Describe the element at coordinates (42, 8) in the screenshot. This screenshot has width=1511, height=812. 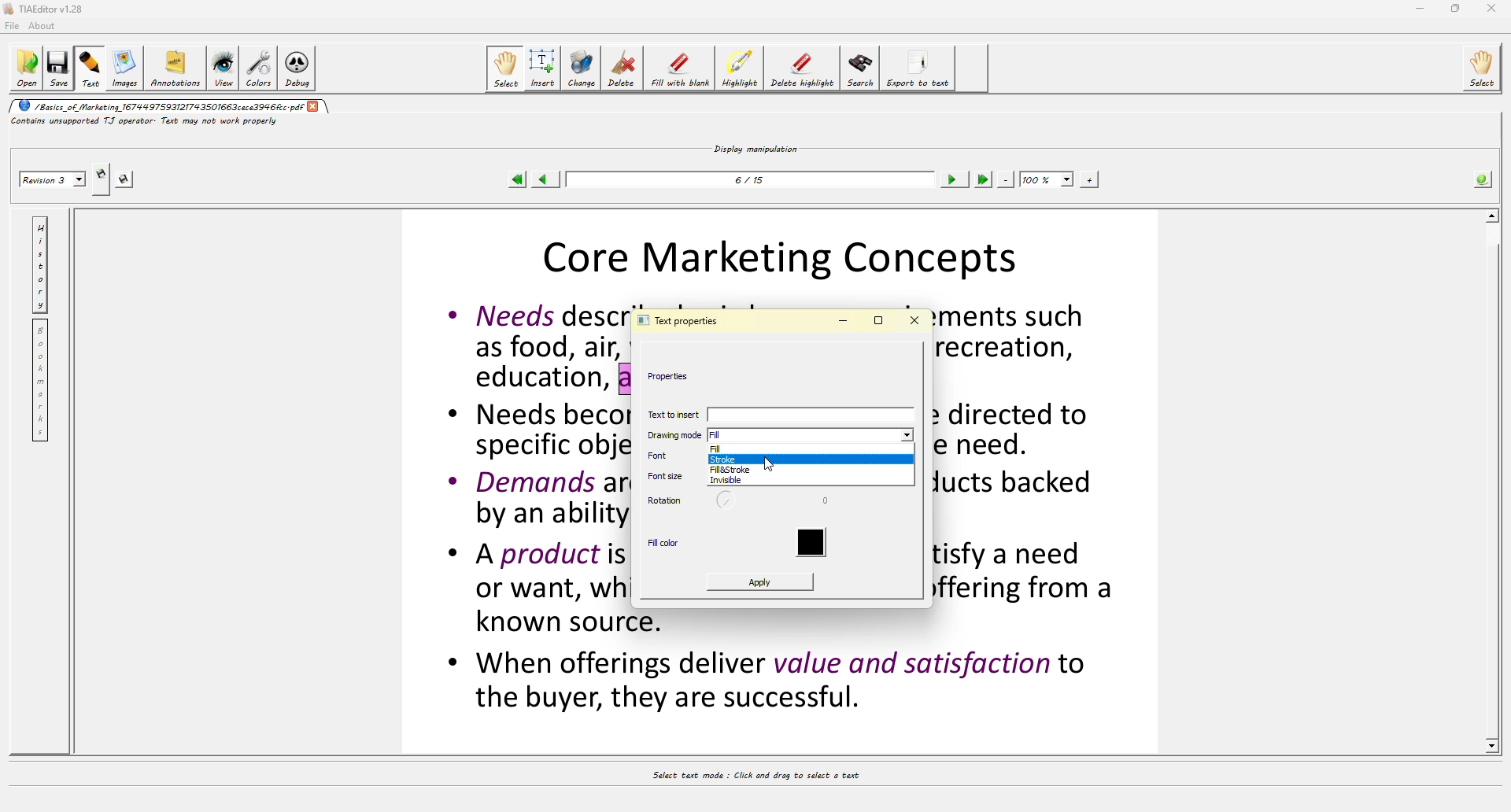
I see `TIAEditor v1.28` at that location.